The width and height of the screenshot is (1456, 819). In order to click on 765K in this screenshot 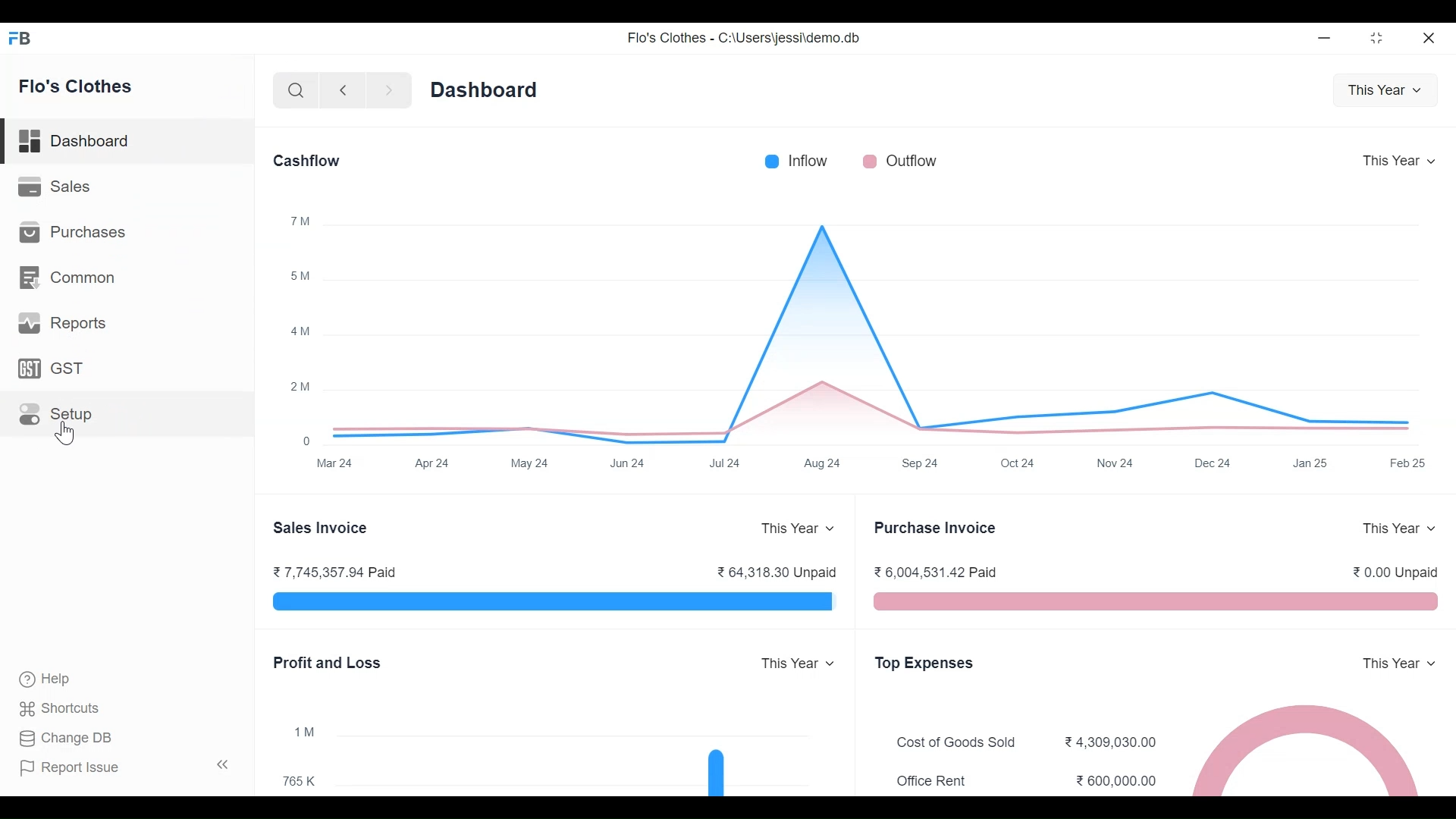, I will do `click(297, 780)`.